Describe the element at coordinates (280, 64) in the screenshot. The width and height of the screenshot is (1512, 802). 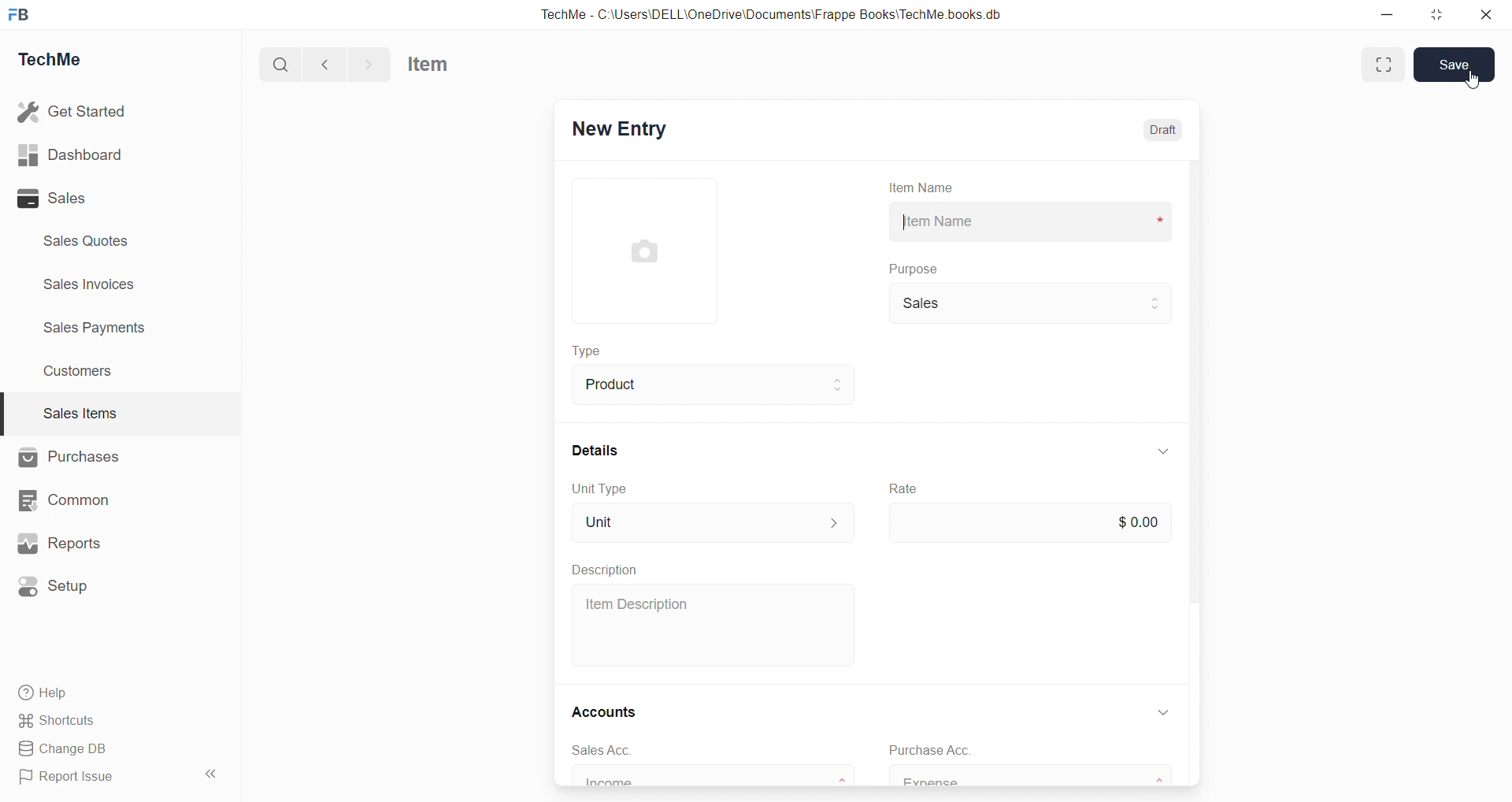
I see `search` at that location.